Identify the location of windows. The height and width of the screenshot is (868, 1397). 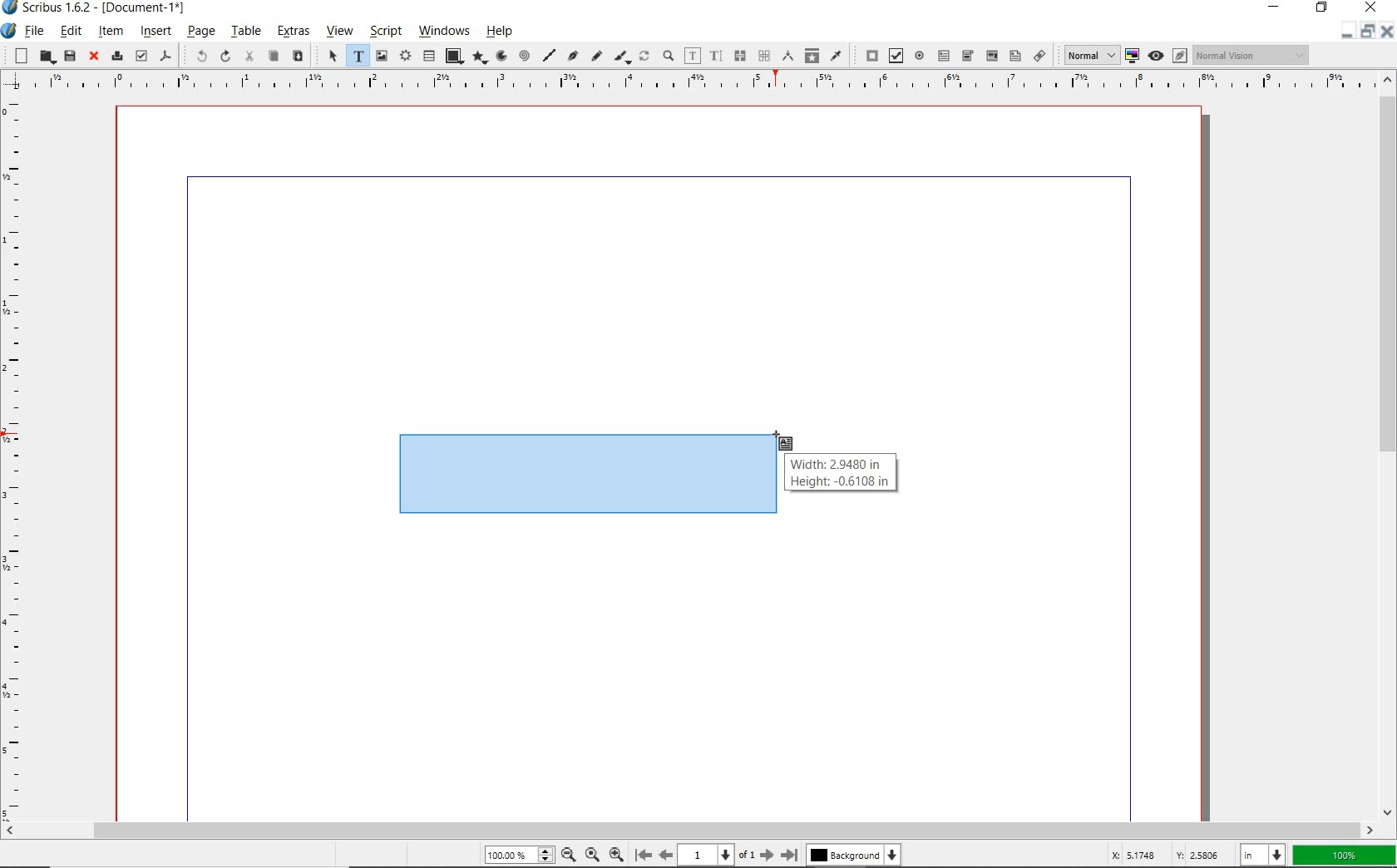
(445, 32).